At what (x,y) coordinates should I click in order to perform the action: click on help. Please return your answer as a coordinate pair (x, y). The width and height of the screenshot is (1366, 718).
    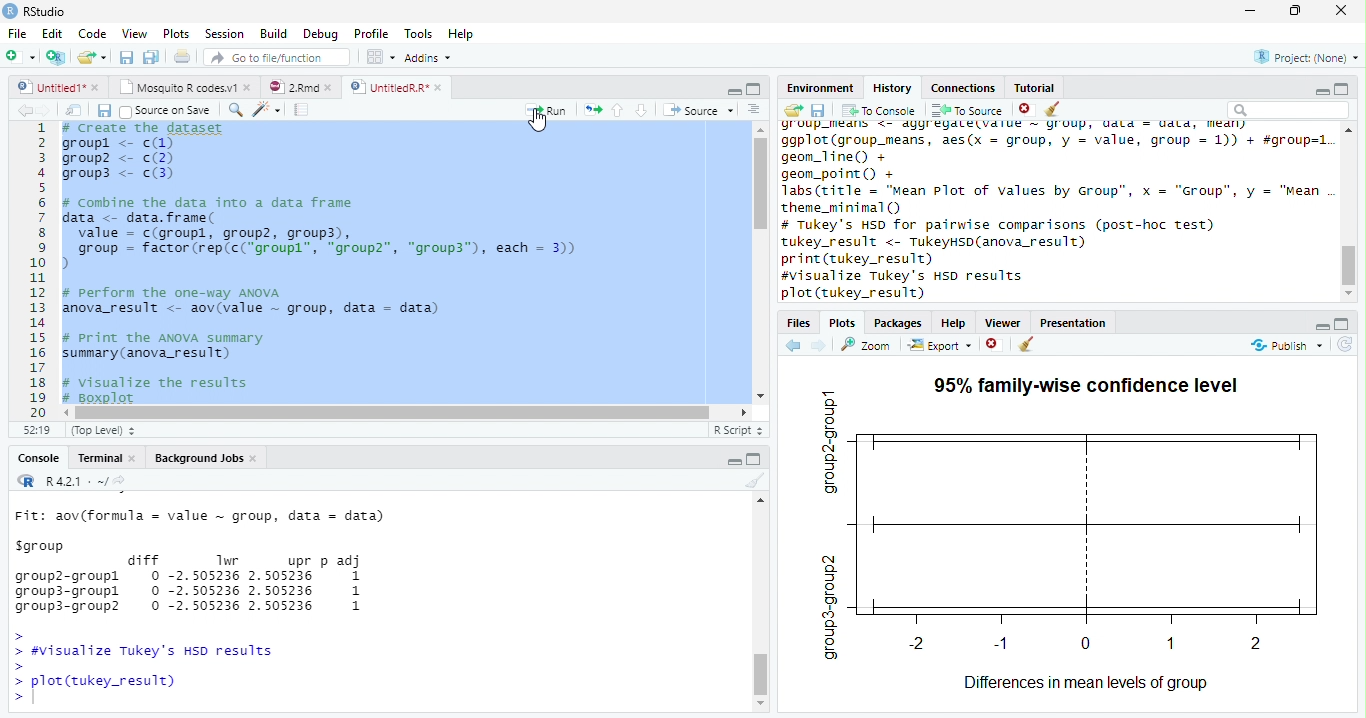
    Looking at the image, I should click on (954, 323).